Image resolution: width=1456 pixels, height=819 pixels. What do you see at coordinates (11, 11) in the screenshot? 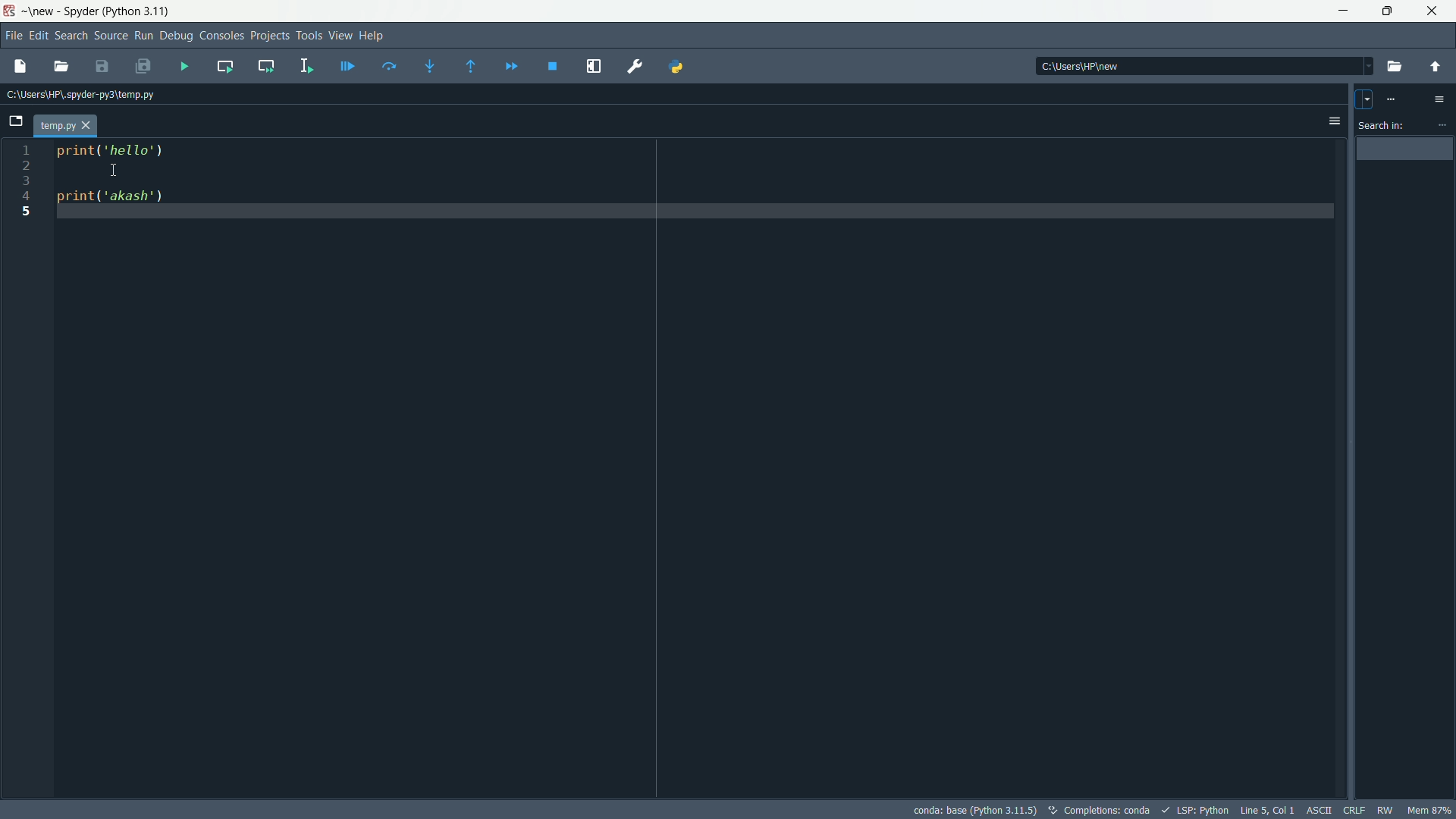
I see `app icon` at bounding box center [11, 11].